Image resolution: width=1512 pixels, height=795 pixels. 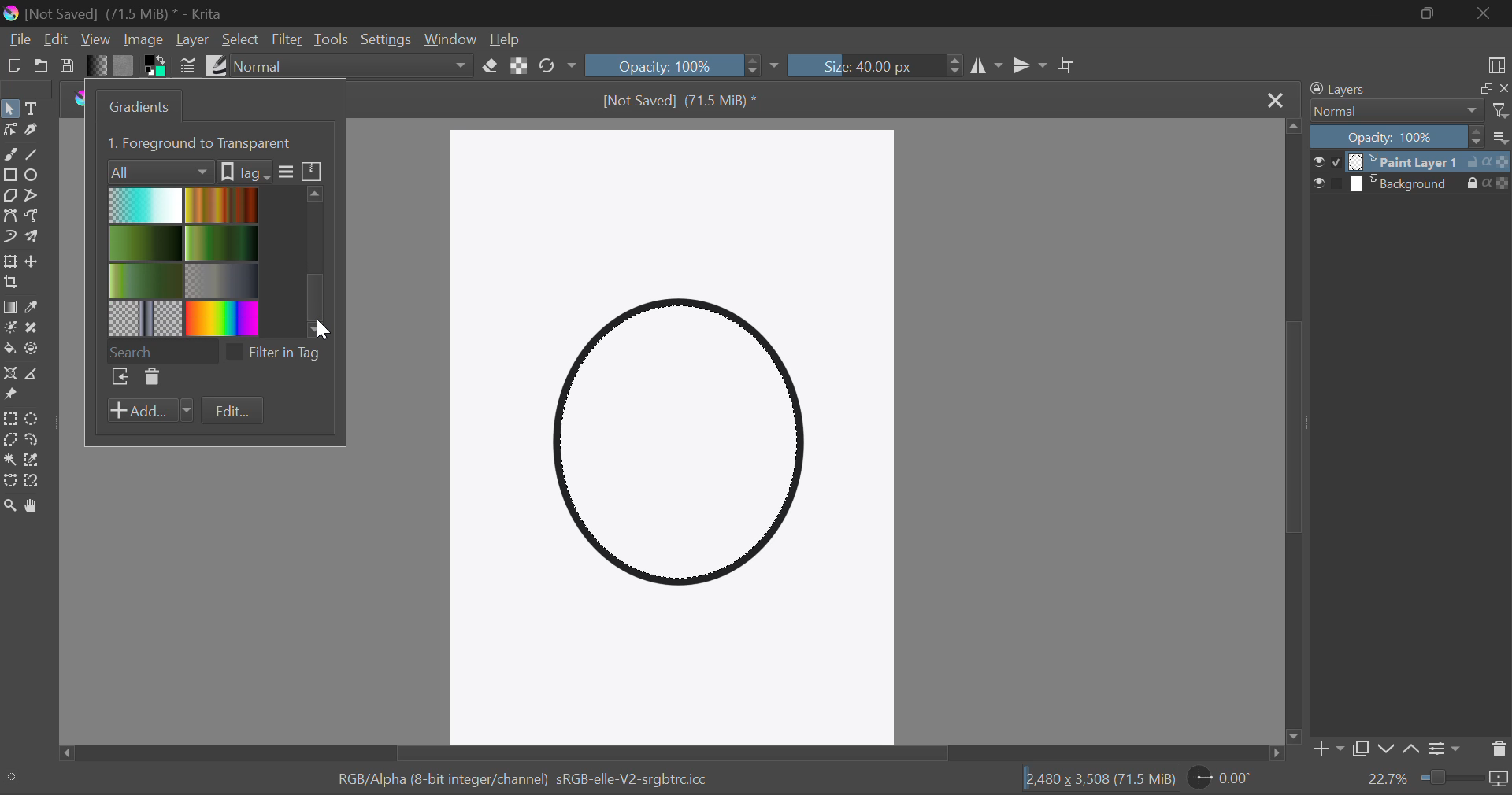 What do you see at coordinates (124, 15) in the screenshot?
I see `[Not Saved] (71.5 MiB) * - Krita` at bounding box center [124, 15].